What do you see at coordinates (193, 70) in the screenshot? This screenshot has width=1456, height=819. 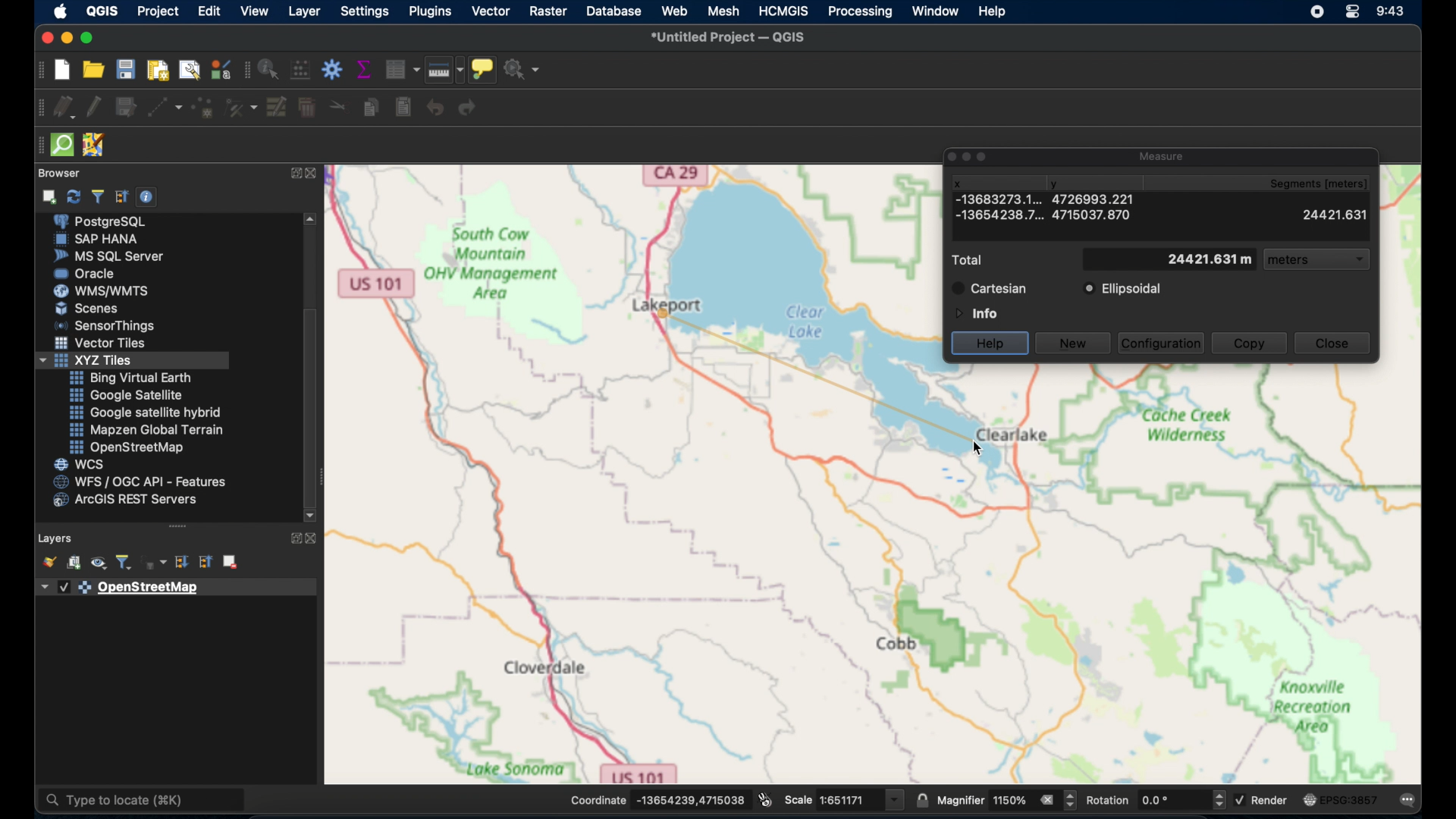 I see `show layout manager` at bounding box center [193, 70].